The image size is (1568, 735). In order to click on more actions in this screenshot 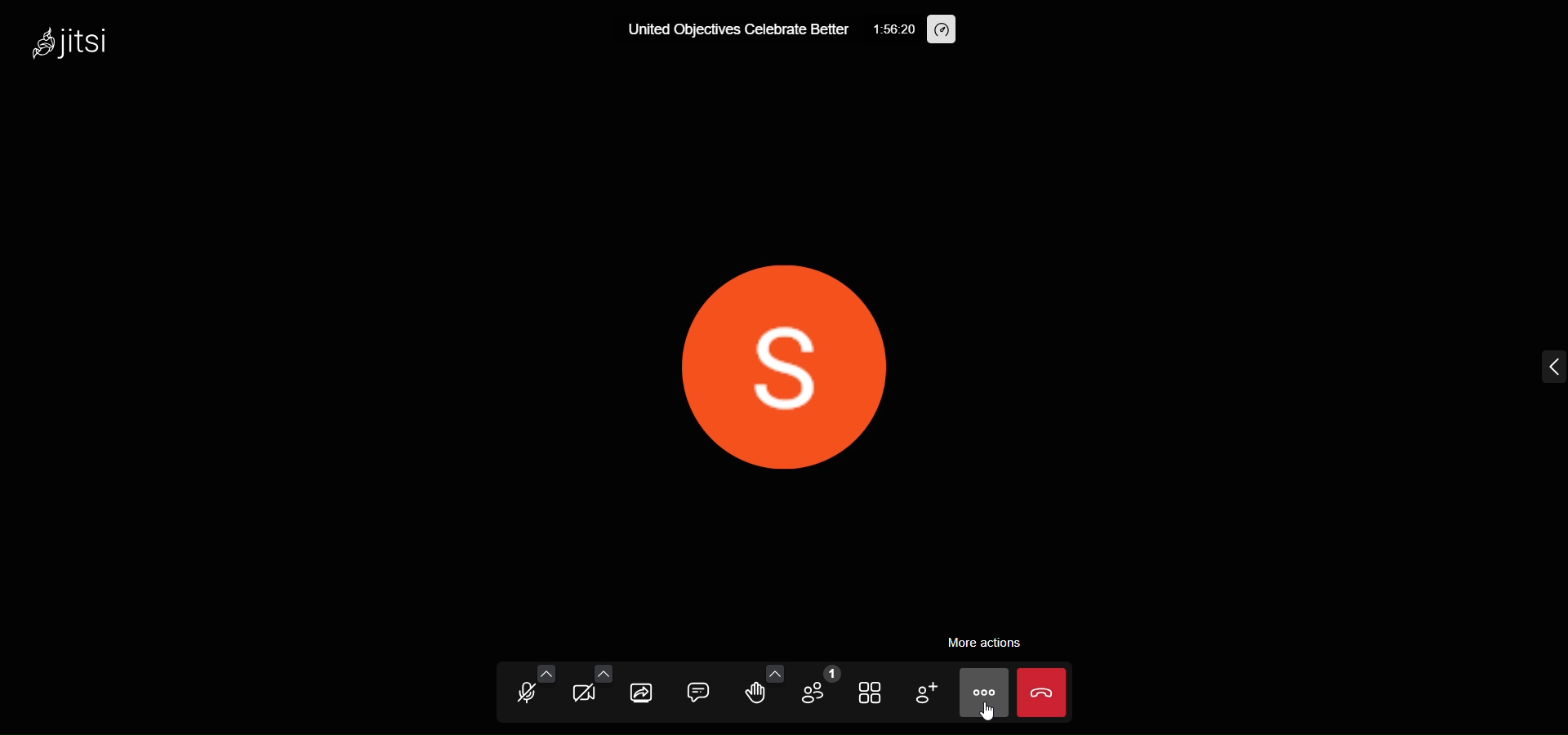, I will do `click(990, 641)`.